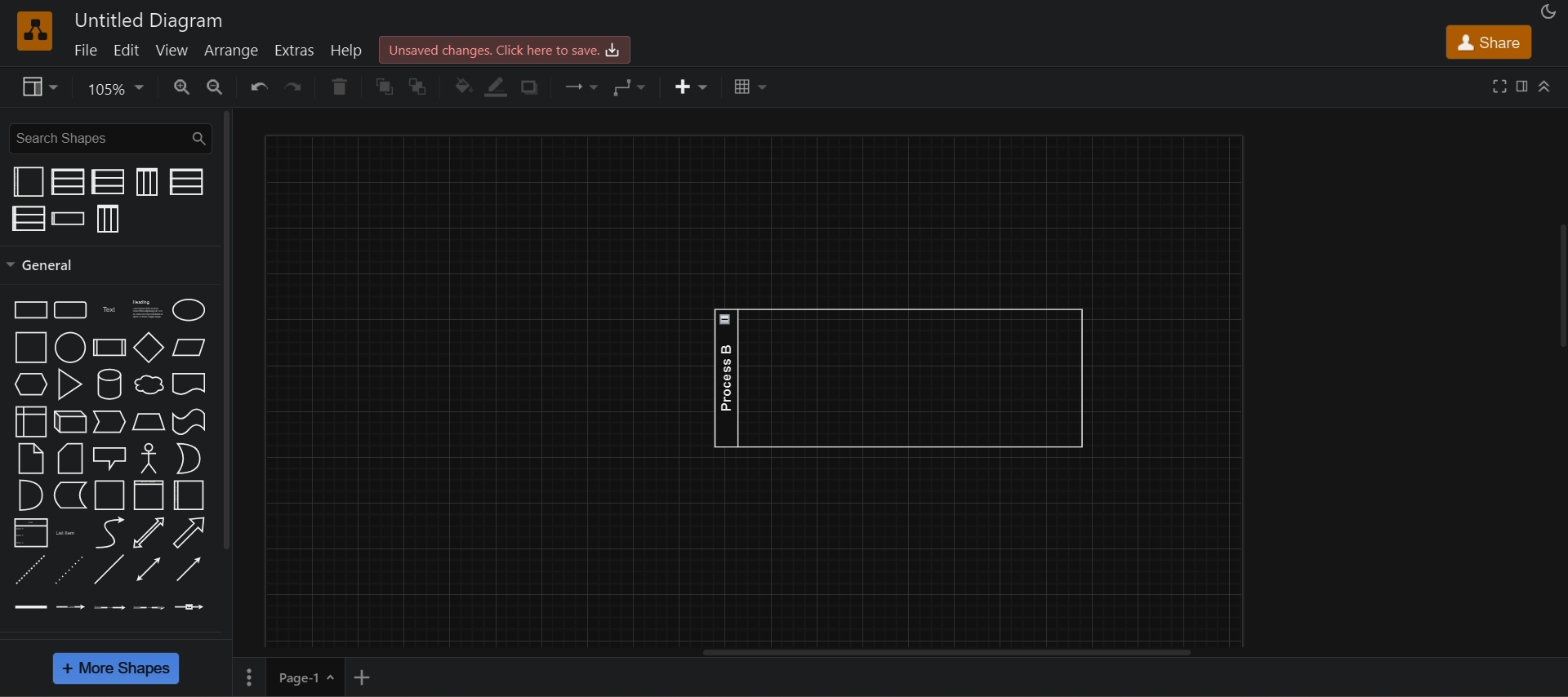  I want to click on more shapes, so click(118, 669).